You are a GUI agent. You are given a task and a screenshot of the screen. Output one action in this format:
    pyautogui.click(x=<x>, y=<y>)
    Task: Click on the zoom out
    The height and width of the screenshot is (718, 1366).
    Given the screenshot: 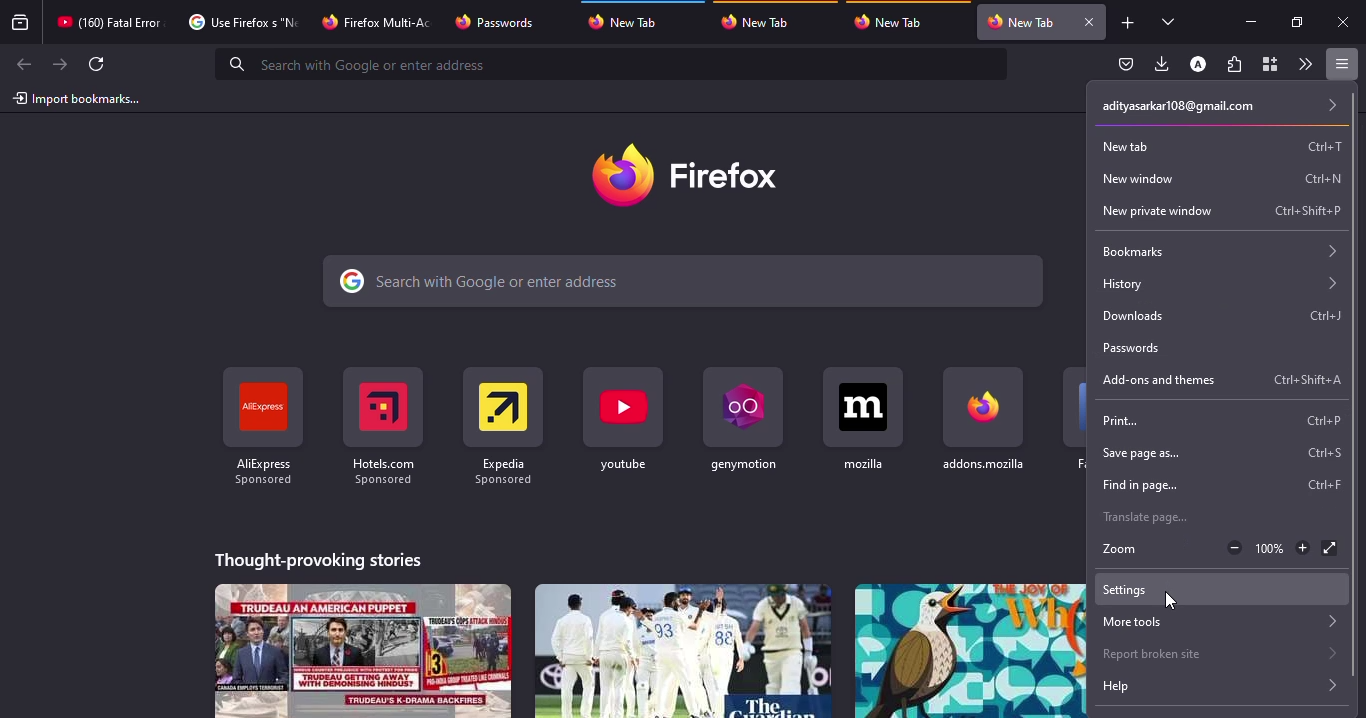 What is the action you would take?
    pyautogui.click(x=1232, y=548)
    